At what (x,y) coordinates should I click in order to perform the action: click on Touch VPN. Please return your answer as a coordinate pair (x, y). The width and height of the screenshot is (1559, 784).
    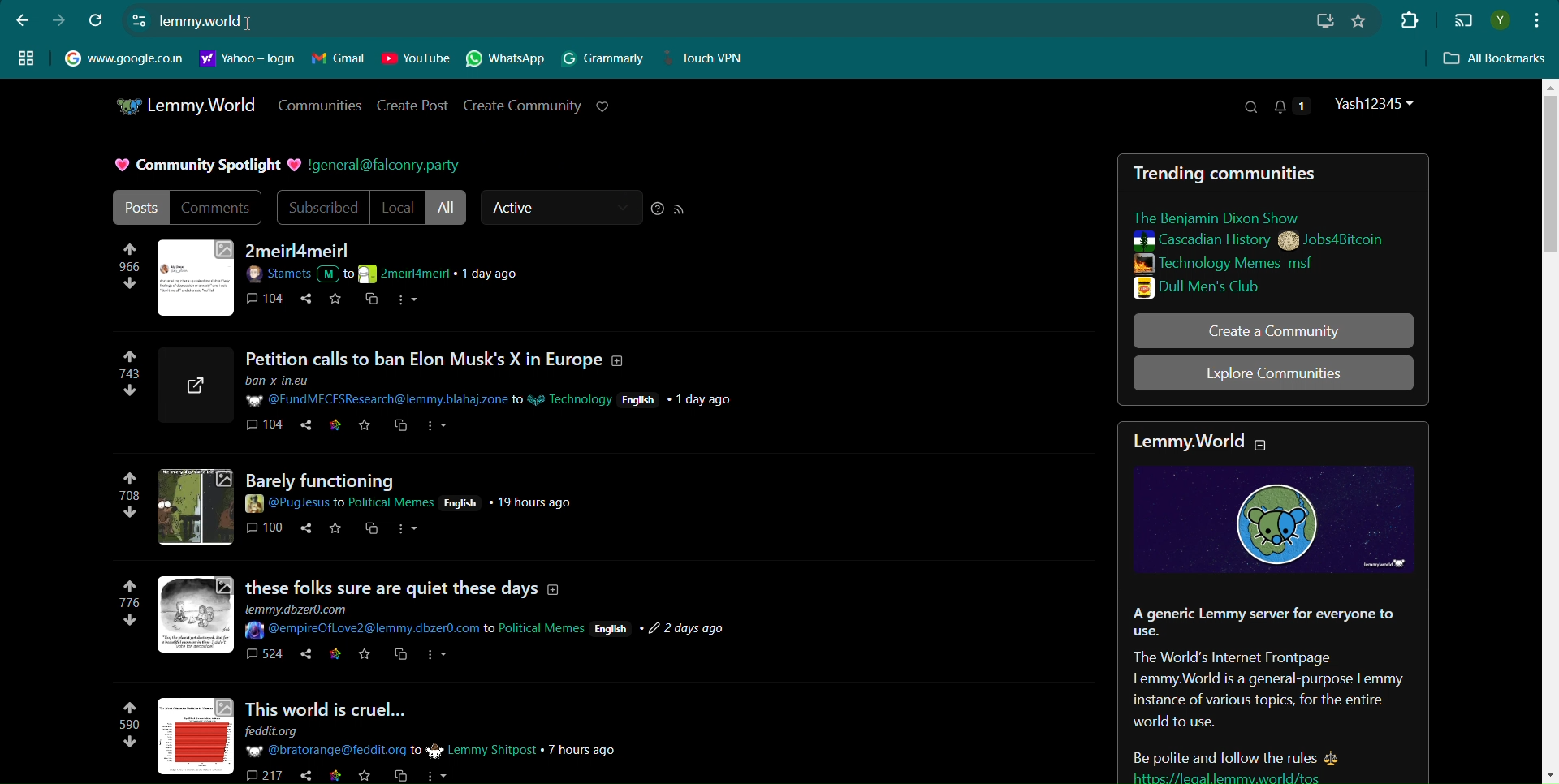
    Looking at the image, I should click on (709, 58).